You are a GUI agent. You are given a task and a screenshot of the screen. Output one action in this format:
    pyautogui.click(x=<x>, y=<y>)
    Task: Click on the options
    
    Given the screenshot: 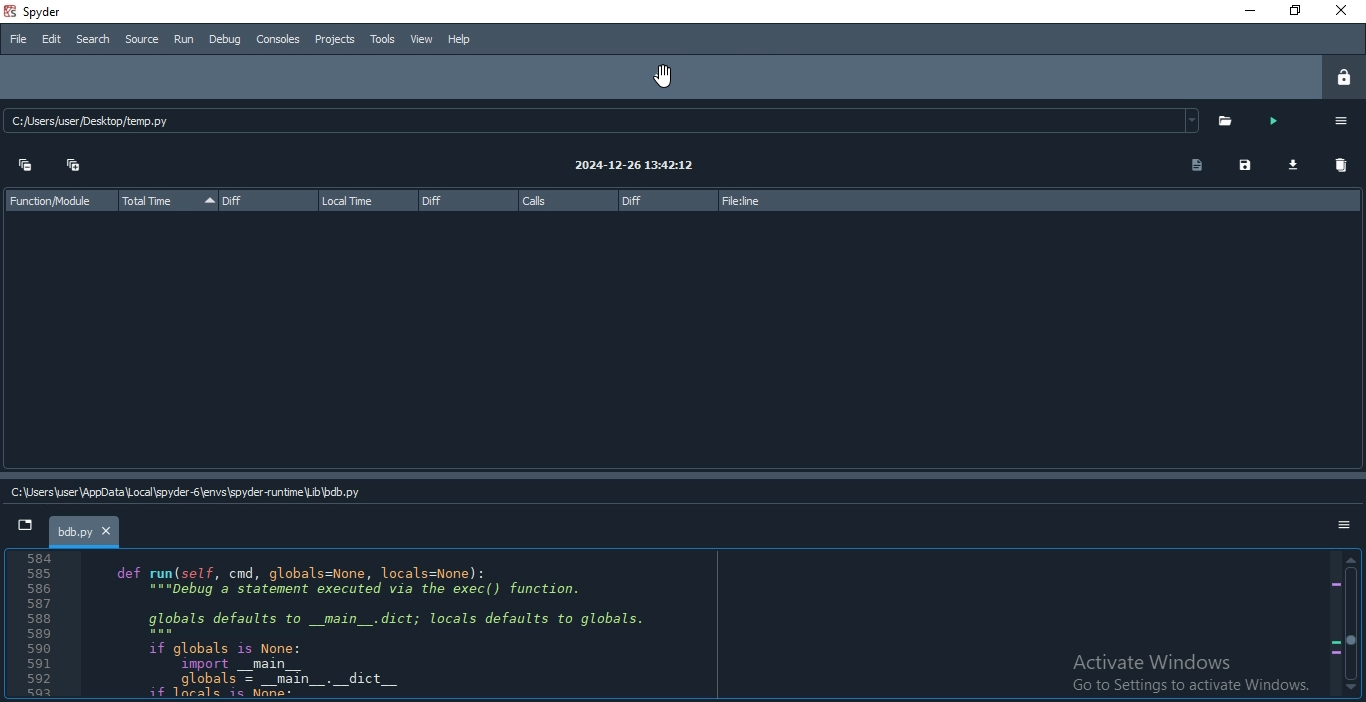 What is the action you would take?
    pyautogui.click(x=1338, y=526)
    